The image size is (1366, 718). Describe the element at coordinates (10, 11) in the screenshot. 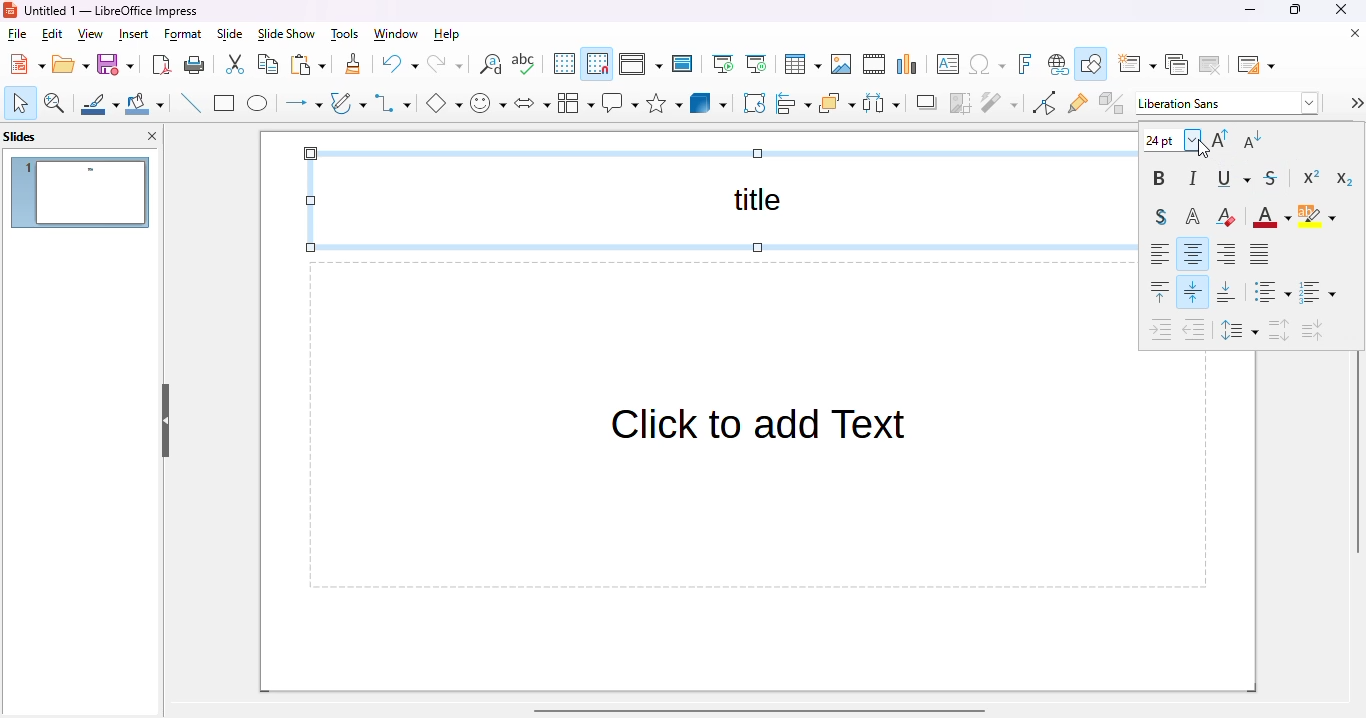

I see `logo` at that location.